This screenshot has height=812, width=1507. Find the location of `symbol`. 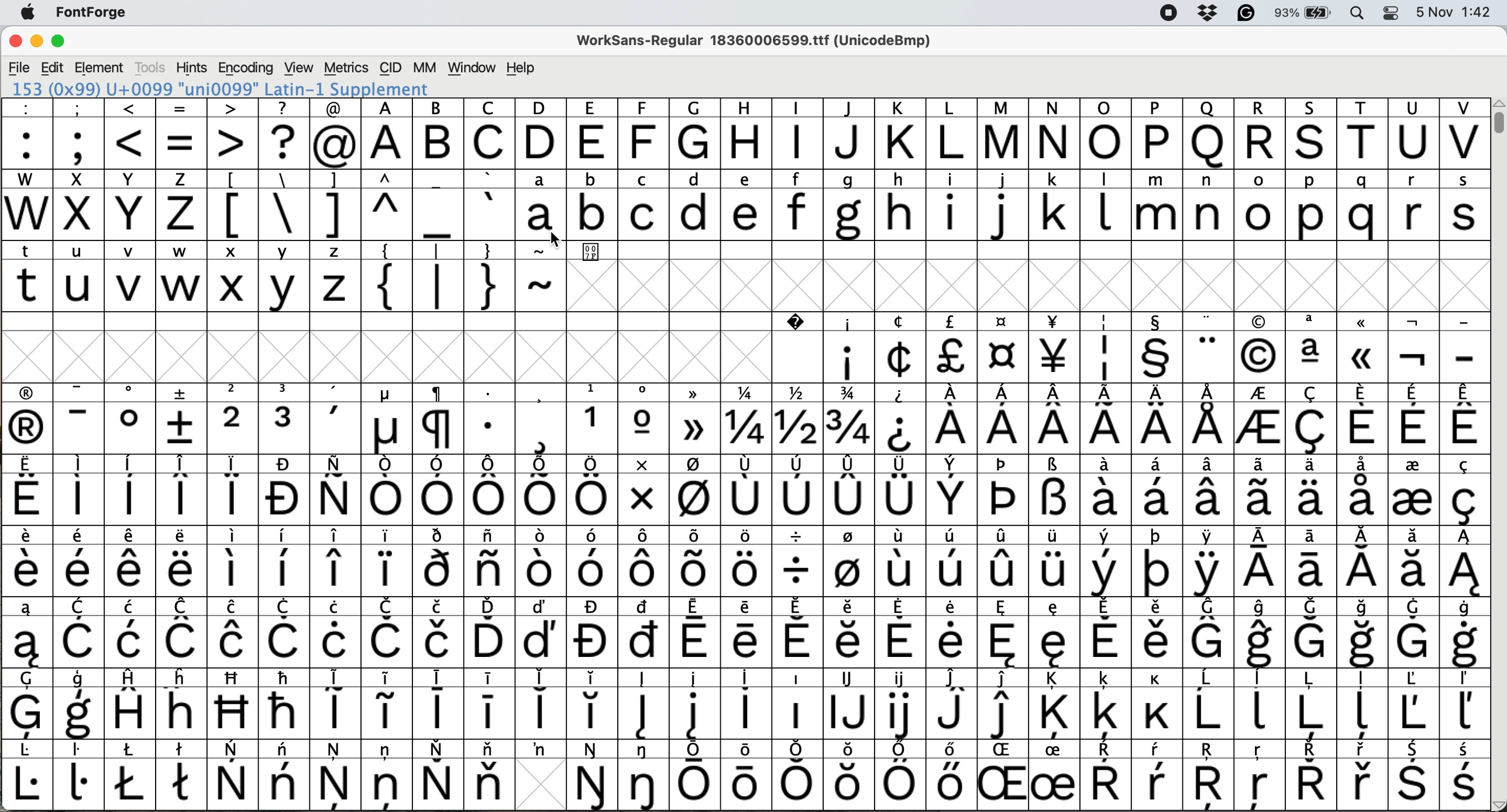

symbol is located at coordinates (1466, 776).